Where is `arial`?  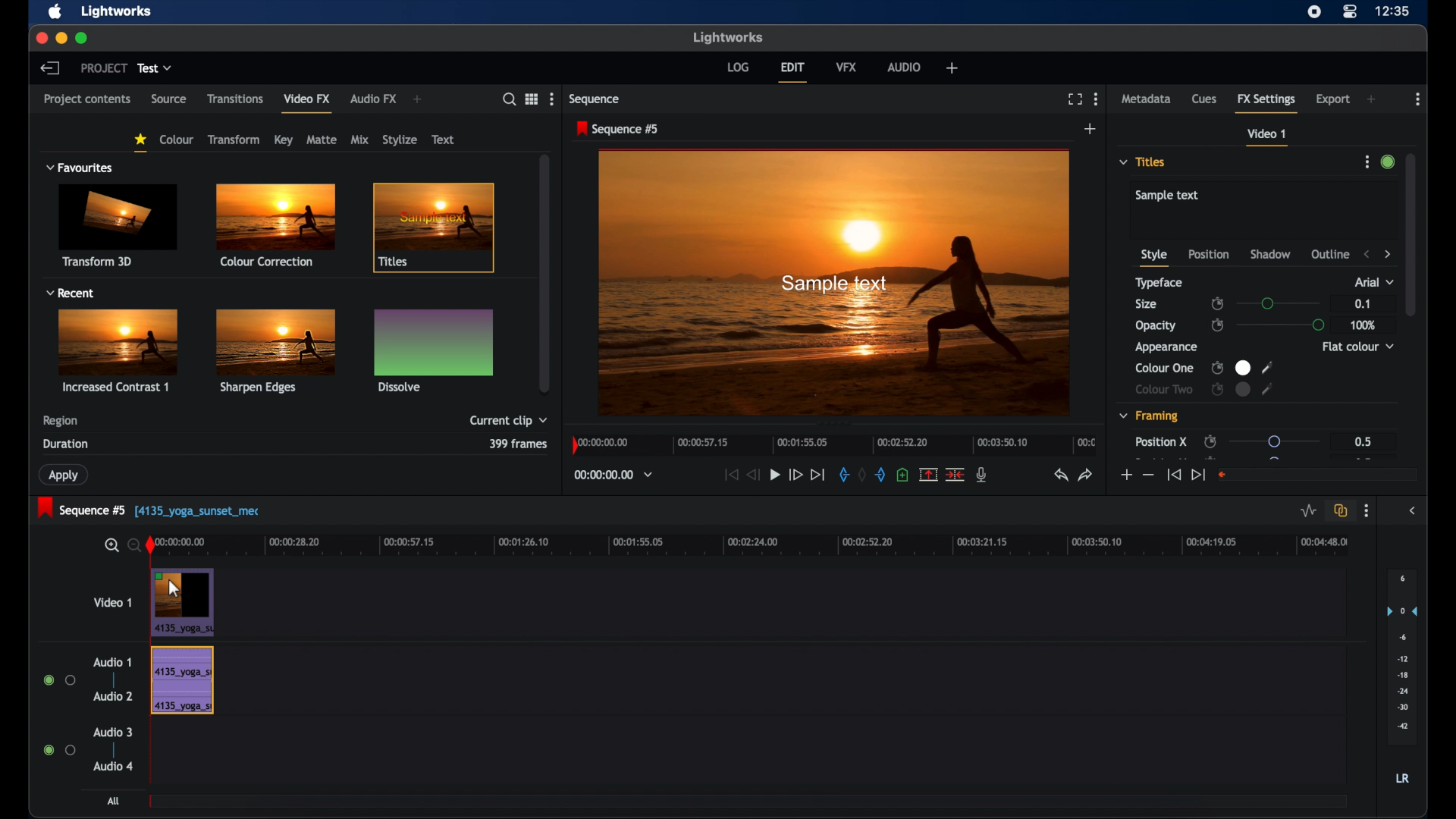
arial is located at coordinates (1375, 281).